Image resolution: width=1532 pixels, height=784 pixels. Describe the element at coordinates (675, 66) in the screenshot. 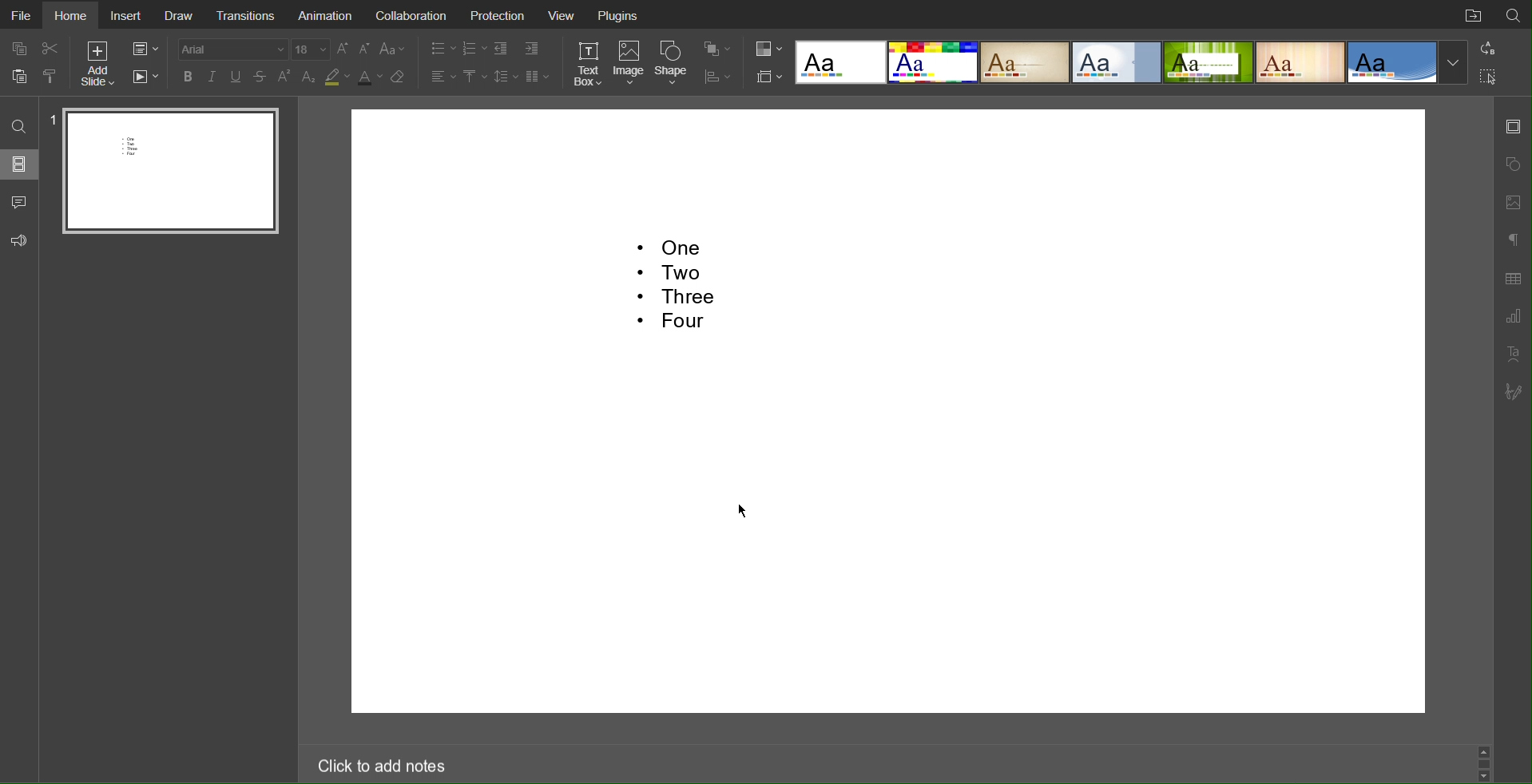

I see `Shape` at that location.